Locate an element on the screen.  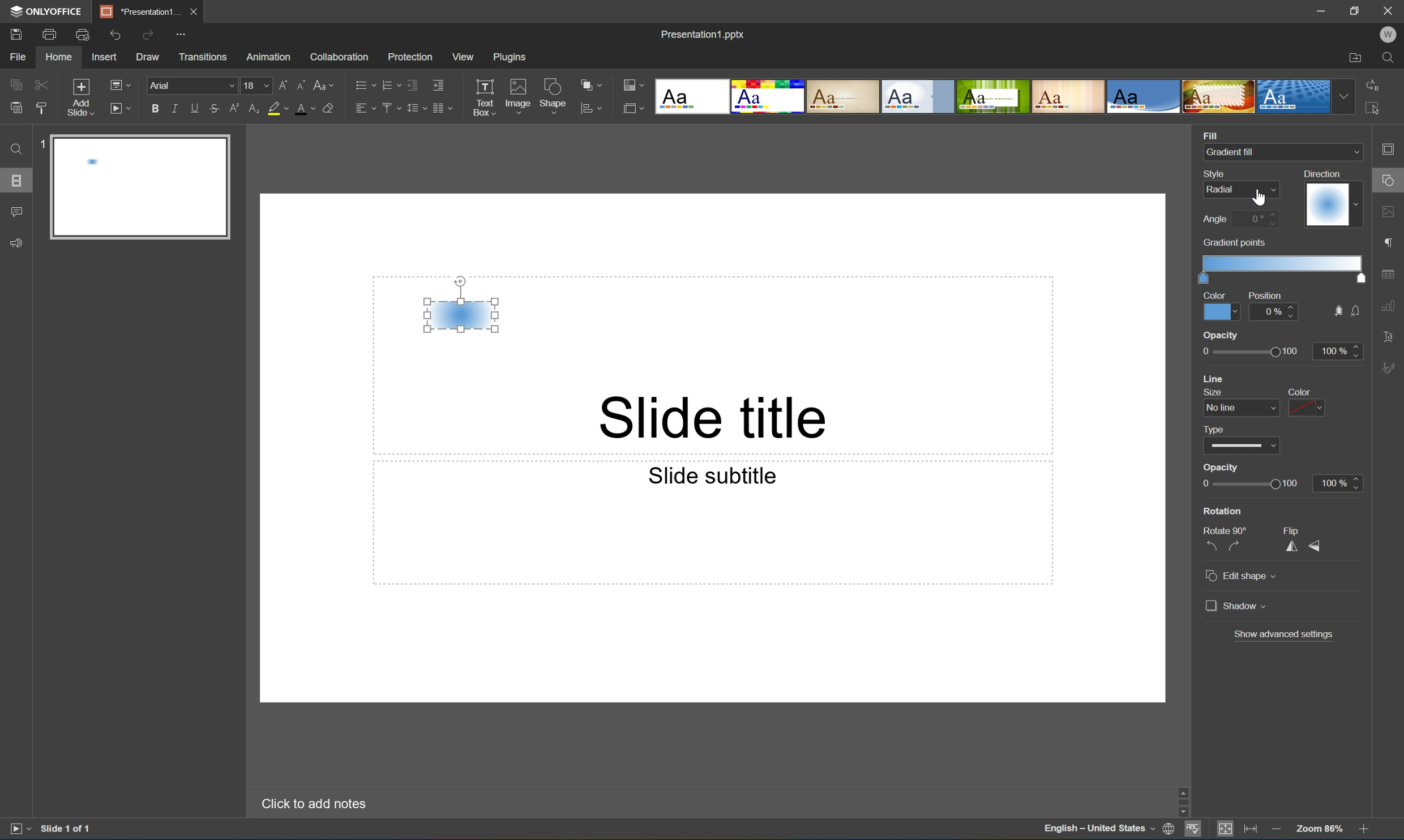
Increase indent is located at coordinates (437, 84).